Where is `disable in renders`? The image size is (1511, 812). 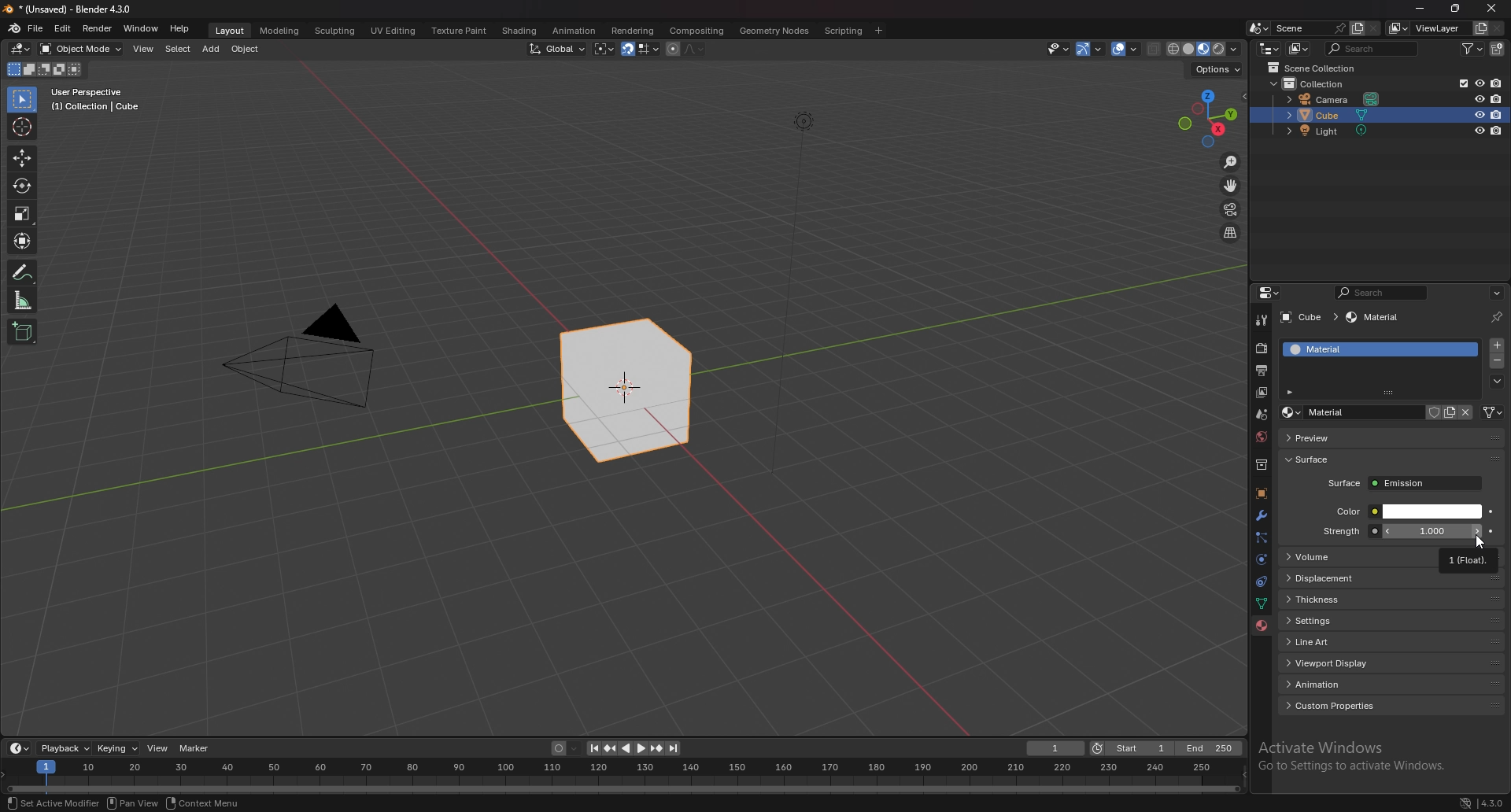
disable in renders is located at coordinates (1497, 83).